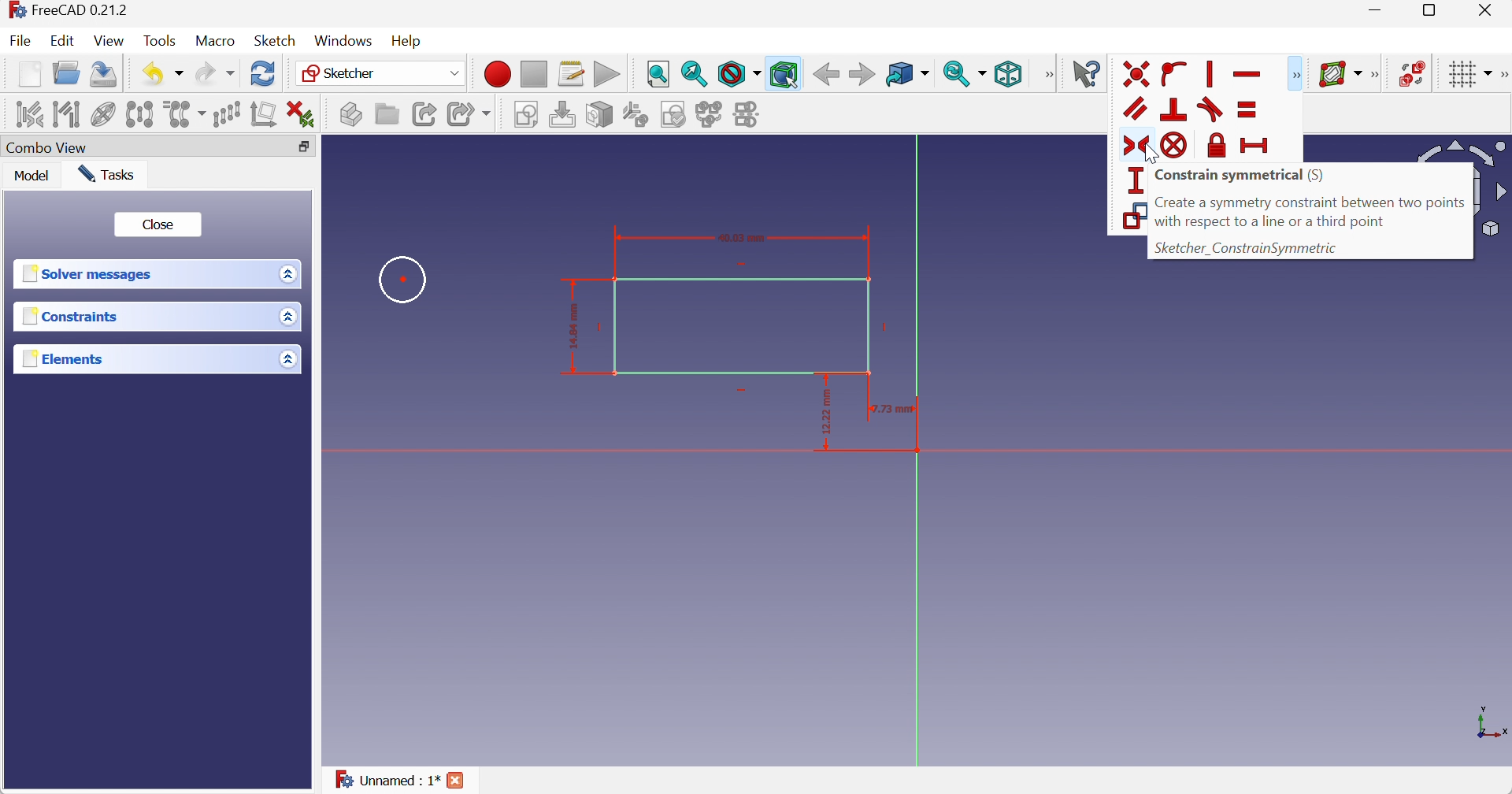  What do you see at coordinates (1377, 74) in the screenshot?
I see `[Sketcher B-spline tools]` at bounding box center [1377, 74].